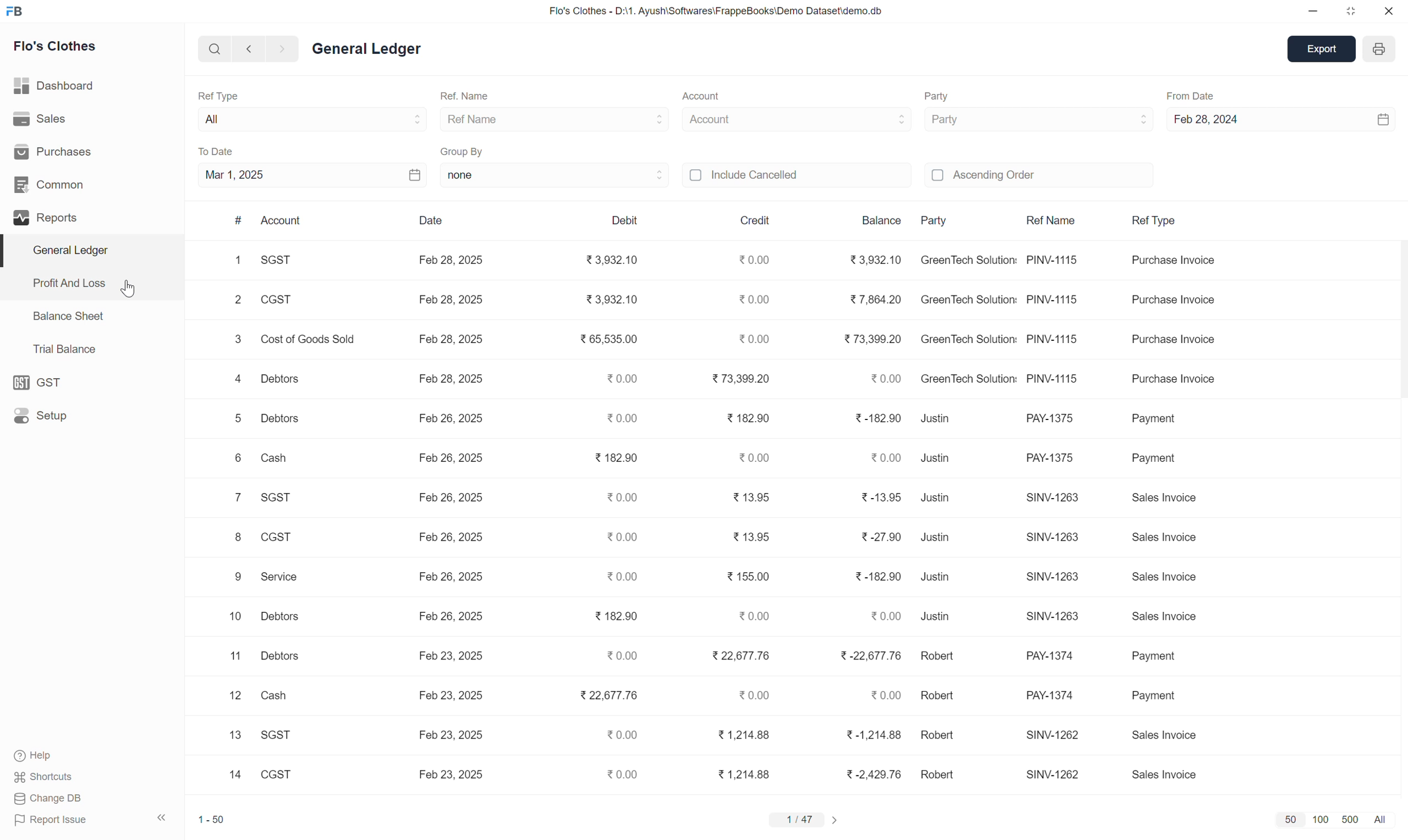  I want to click on Shortcuts, so click(49, 778).